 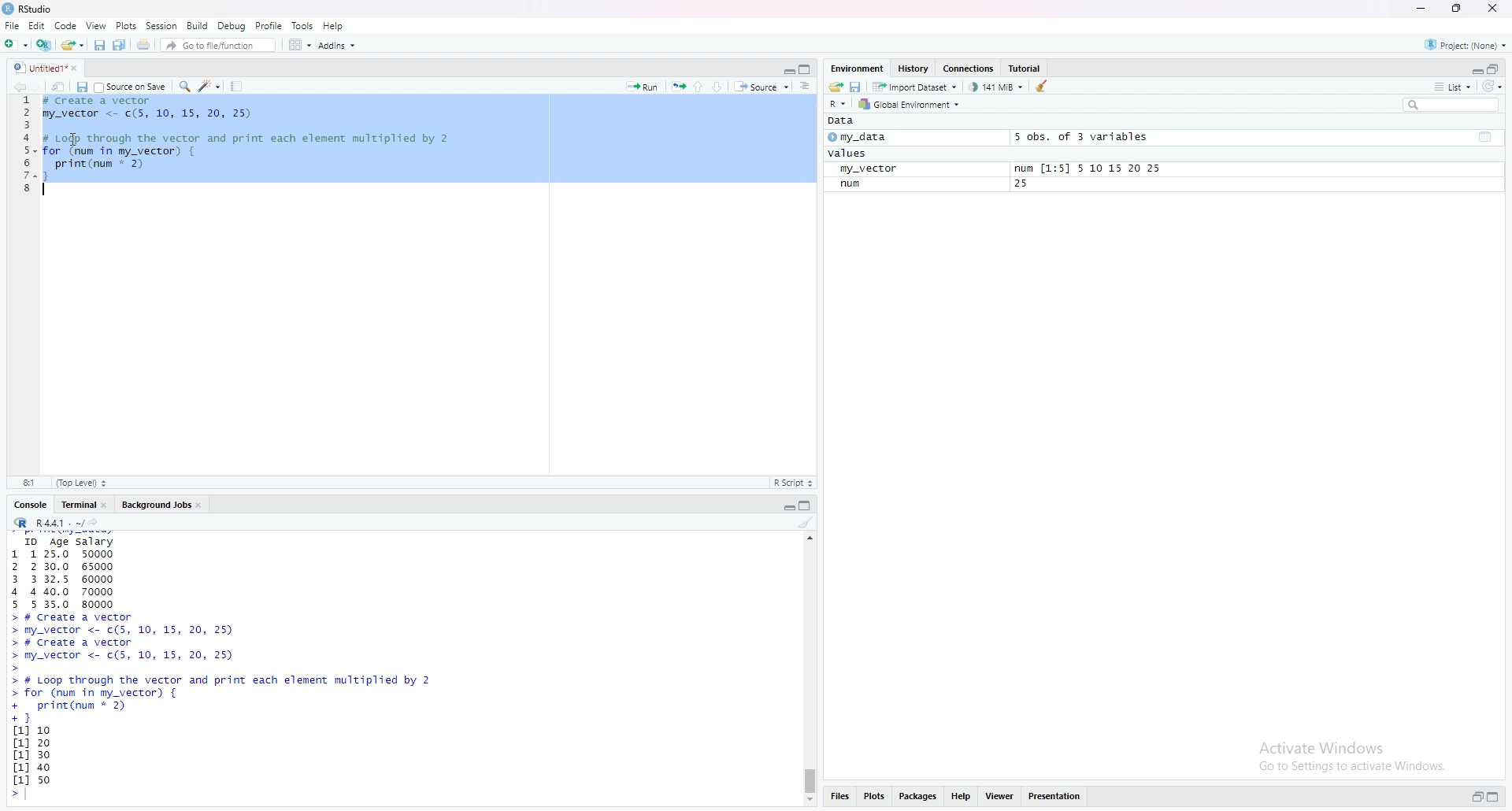 I want to click on save current document, so click(x=82, y=87).